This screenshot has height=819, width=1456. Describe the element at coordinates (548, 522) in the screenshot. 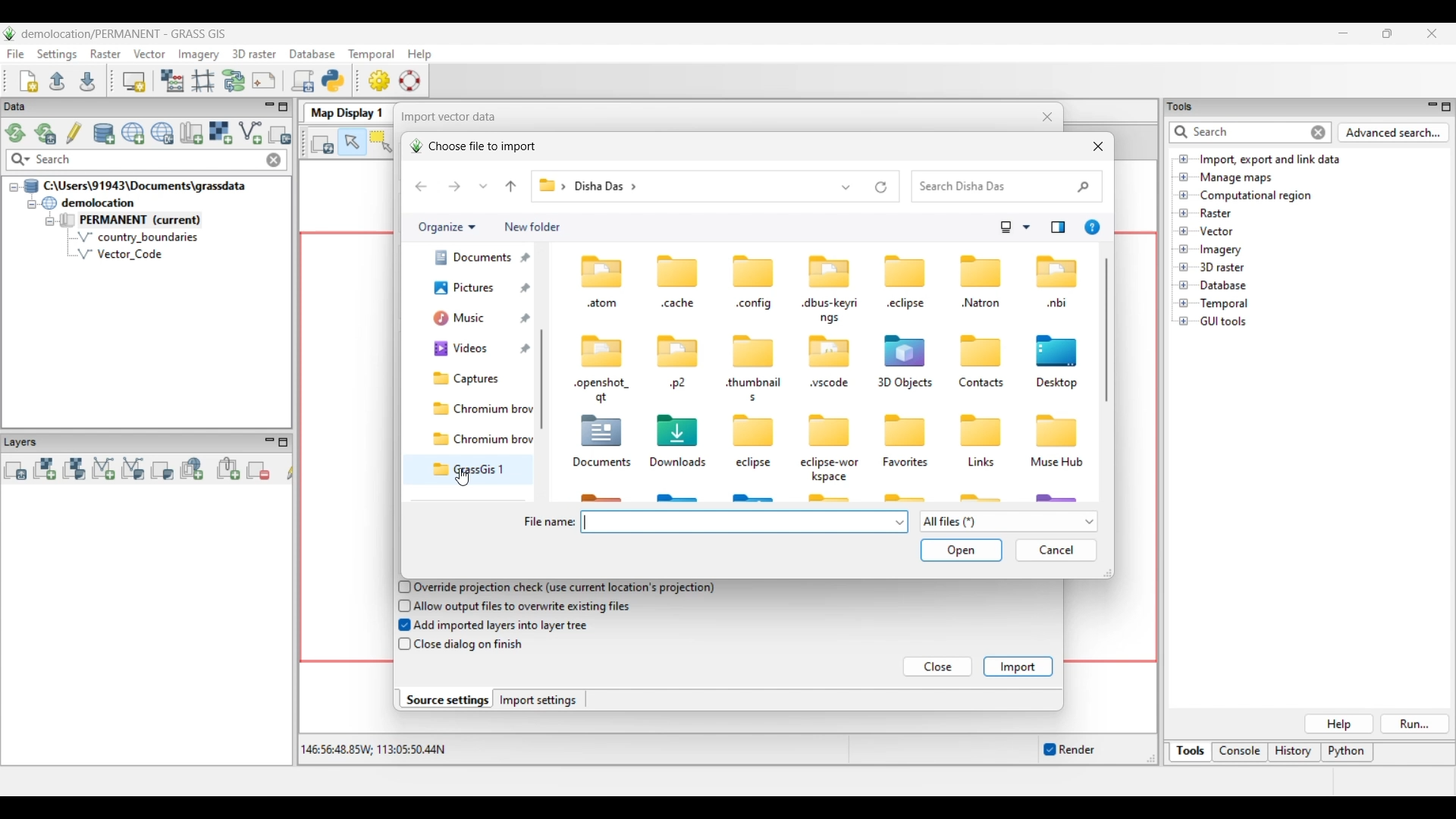

I see `File name:` at that location.